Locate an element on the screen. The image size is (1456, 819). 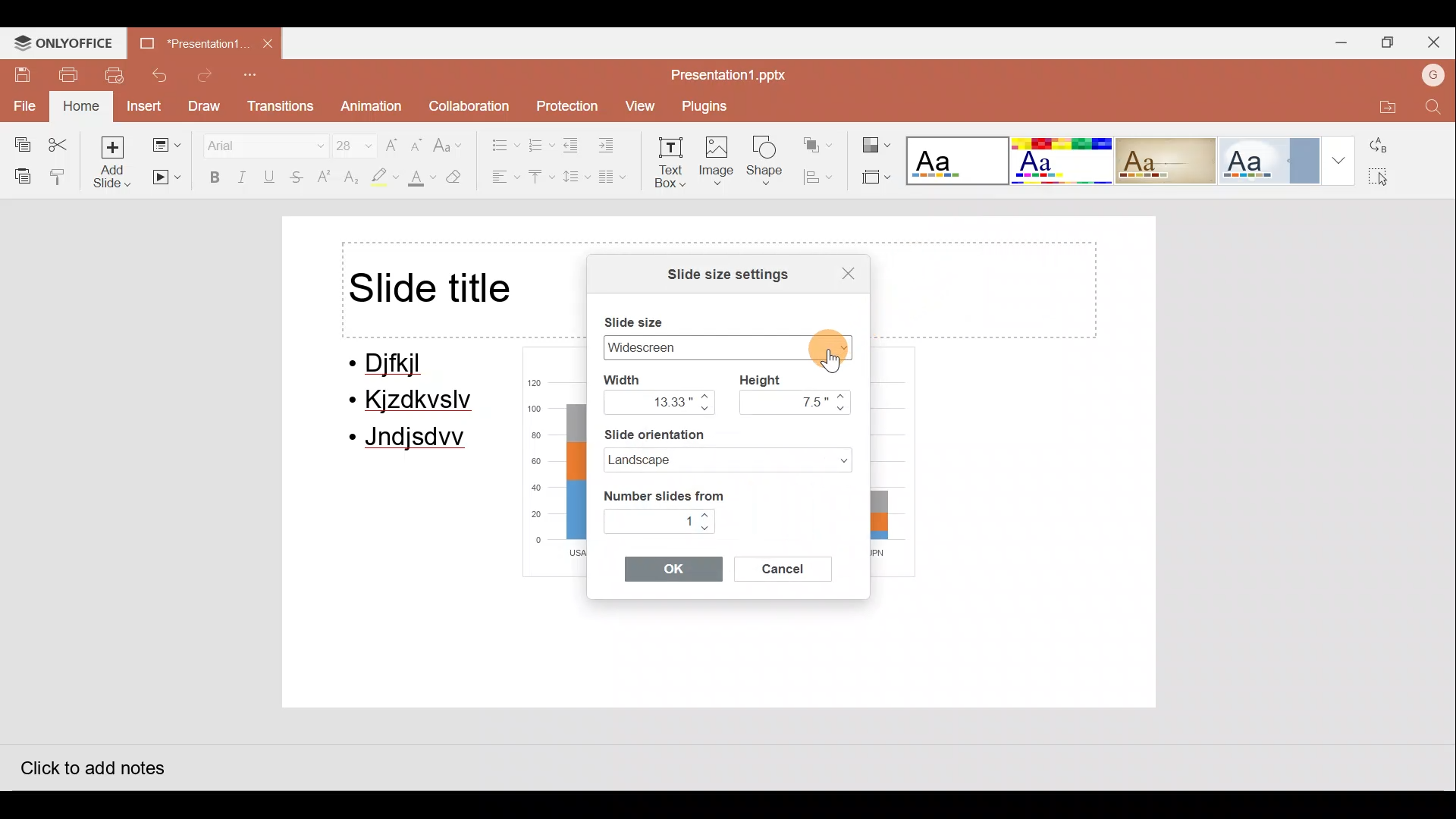
Increase font size is located at coordinates (393, 140).